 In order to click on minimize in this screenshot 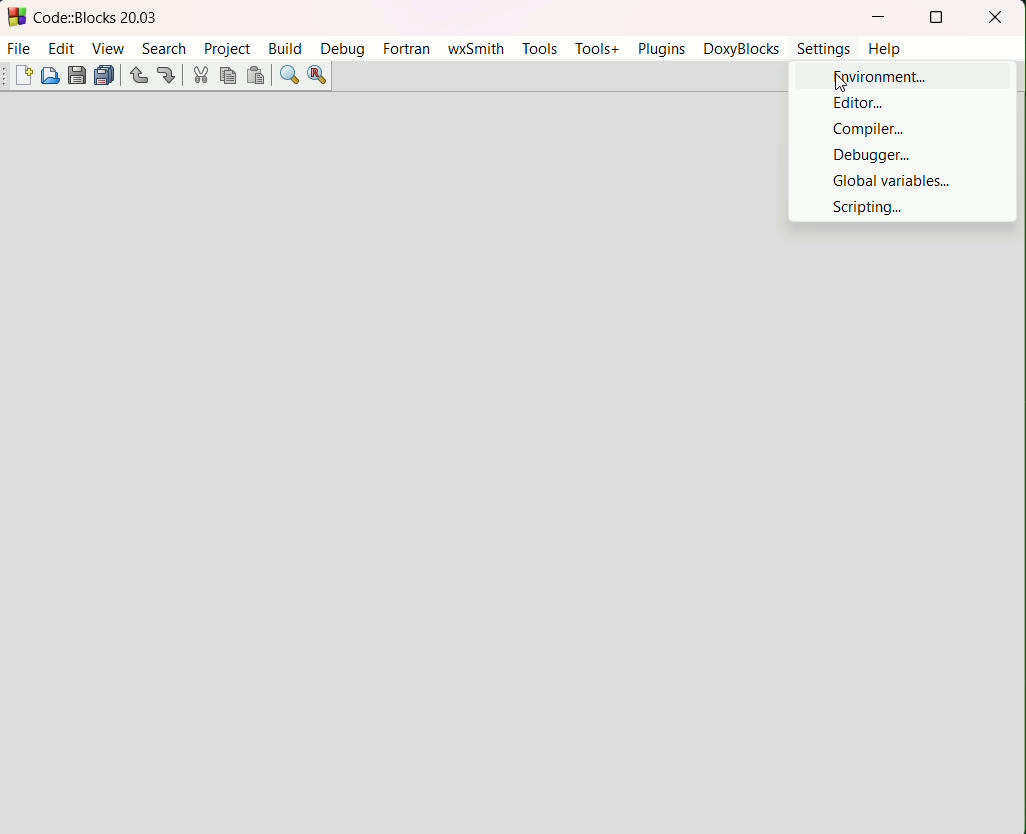, I will do `click(880, 17)`.